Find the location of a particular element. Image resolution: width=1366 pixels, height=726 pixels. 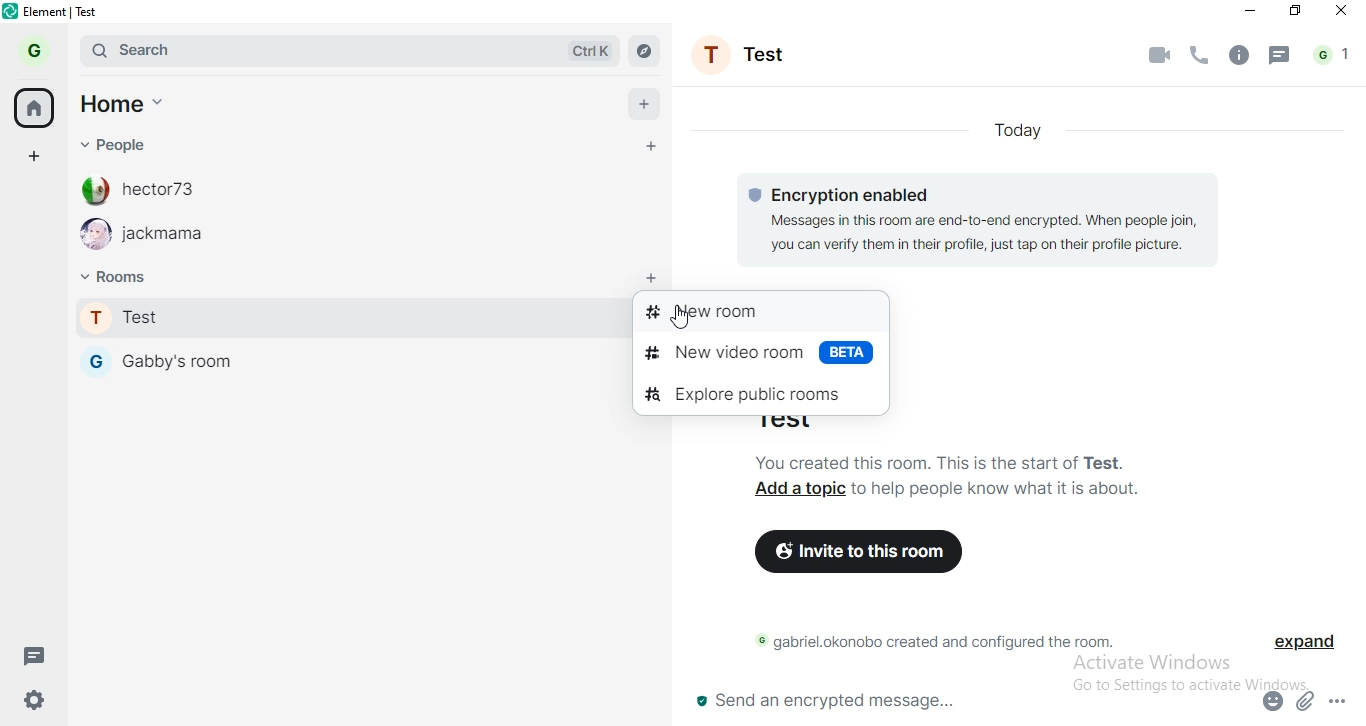

today is located at coordinates (1015, 126).